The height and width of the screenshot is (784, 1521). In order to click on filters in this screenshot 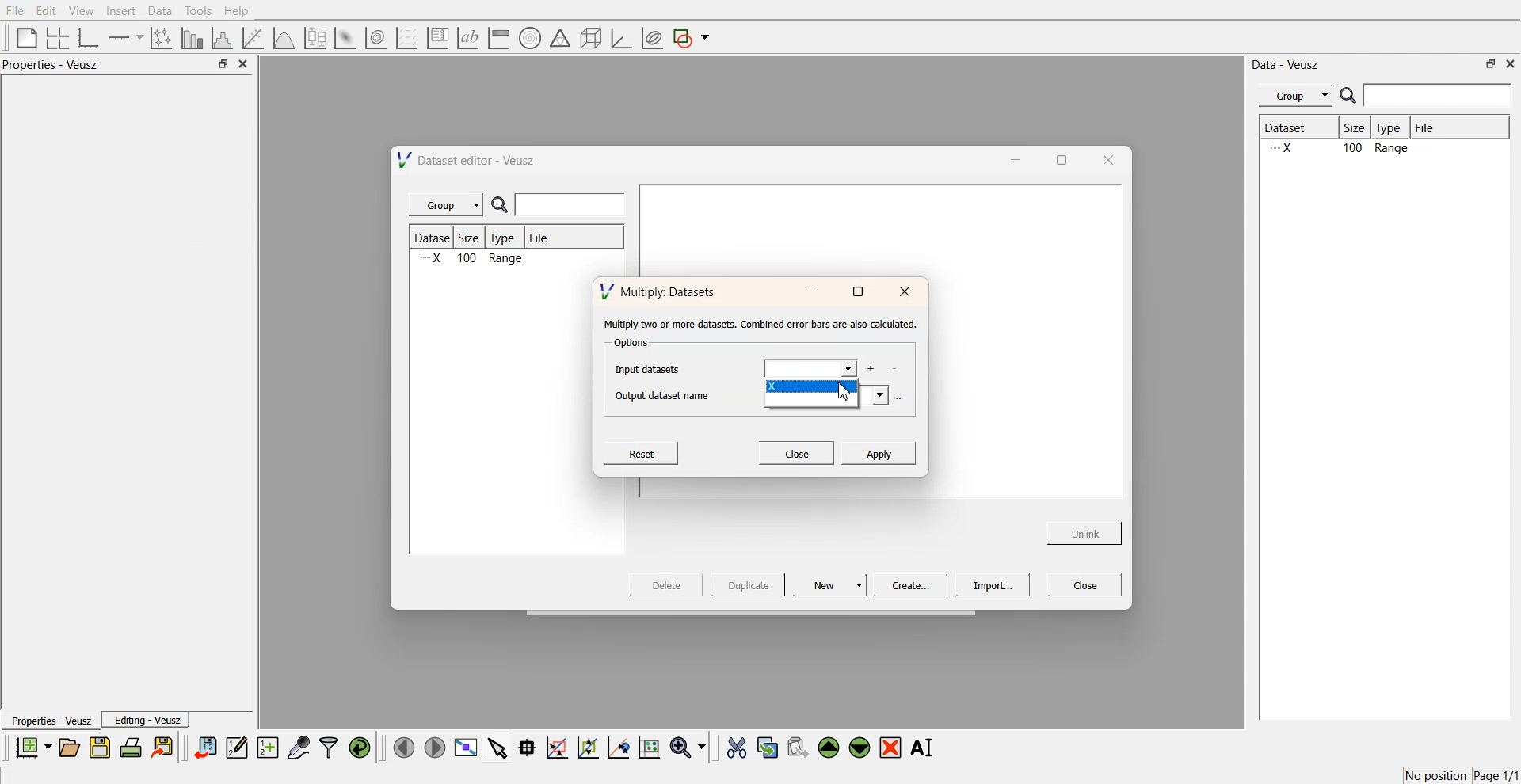, I will do `click(327, 748)`.